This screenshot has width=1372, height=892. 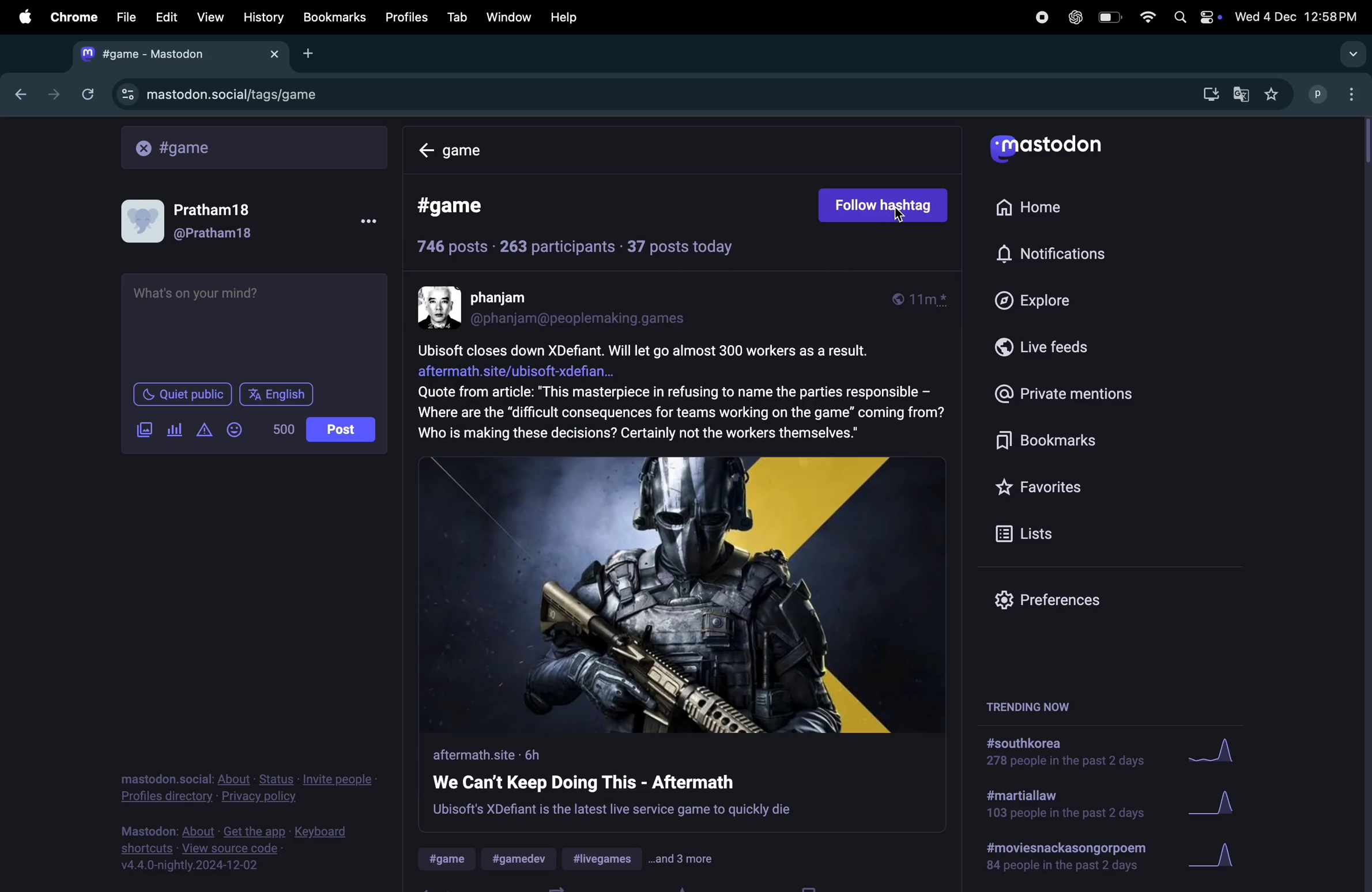 I want to click on list, so click(x=1026, y=531).